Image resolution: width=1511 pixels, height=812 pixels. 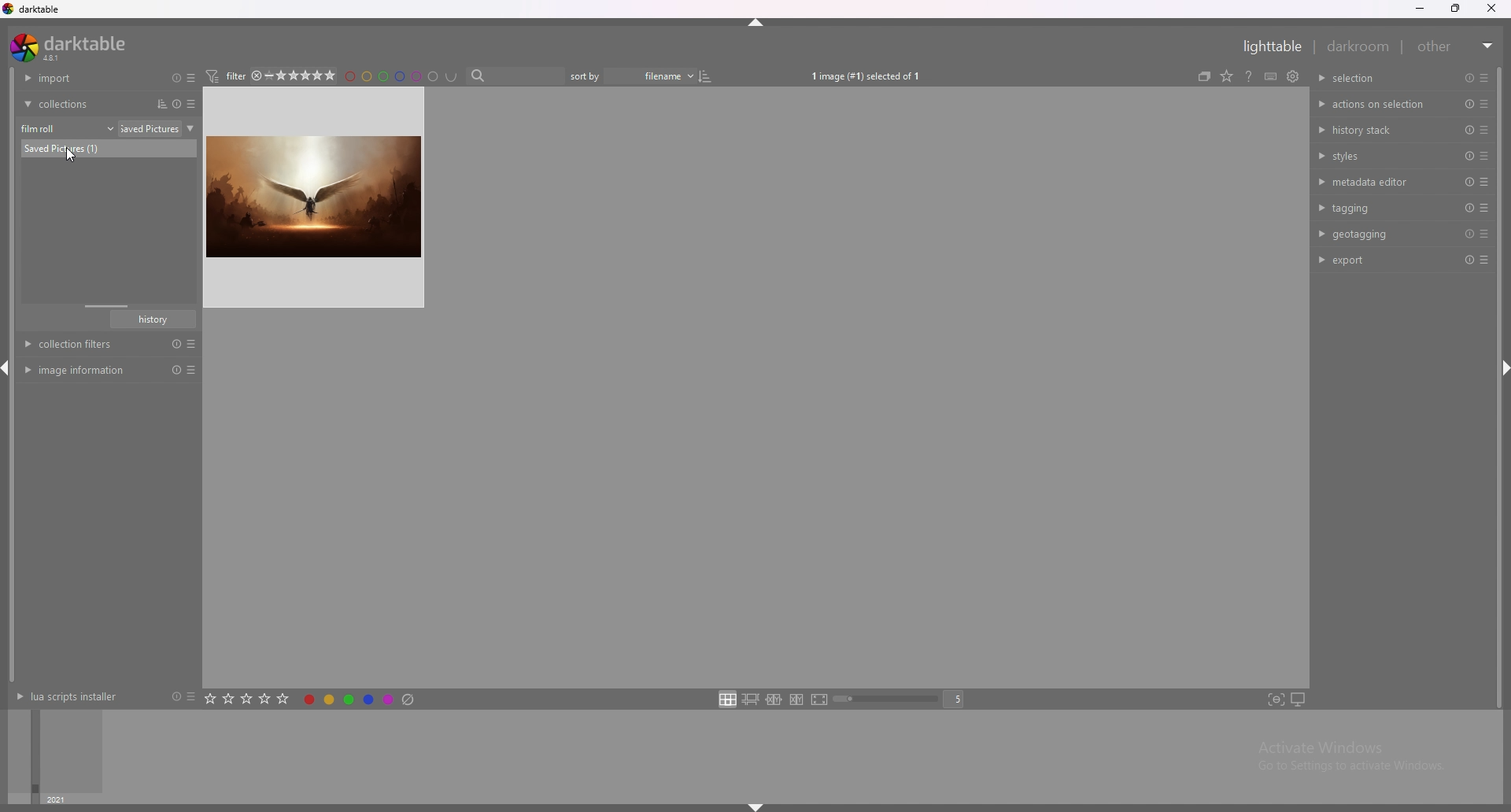 I want to click on hide, so click(x=752, y=806).